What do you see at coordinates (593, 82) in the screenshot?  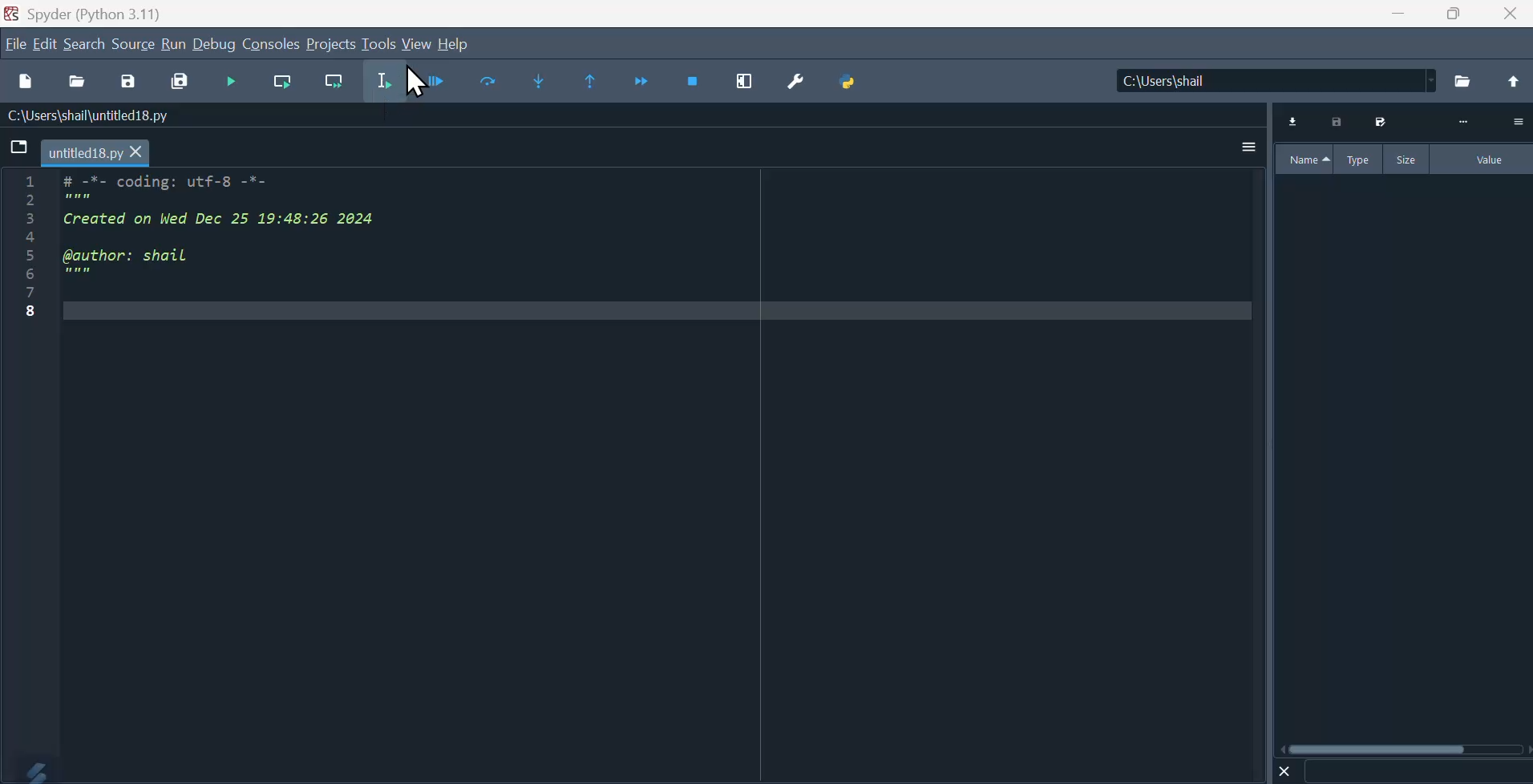 I see `Find previous` at bounding box center [593, 82].